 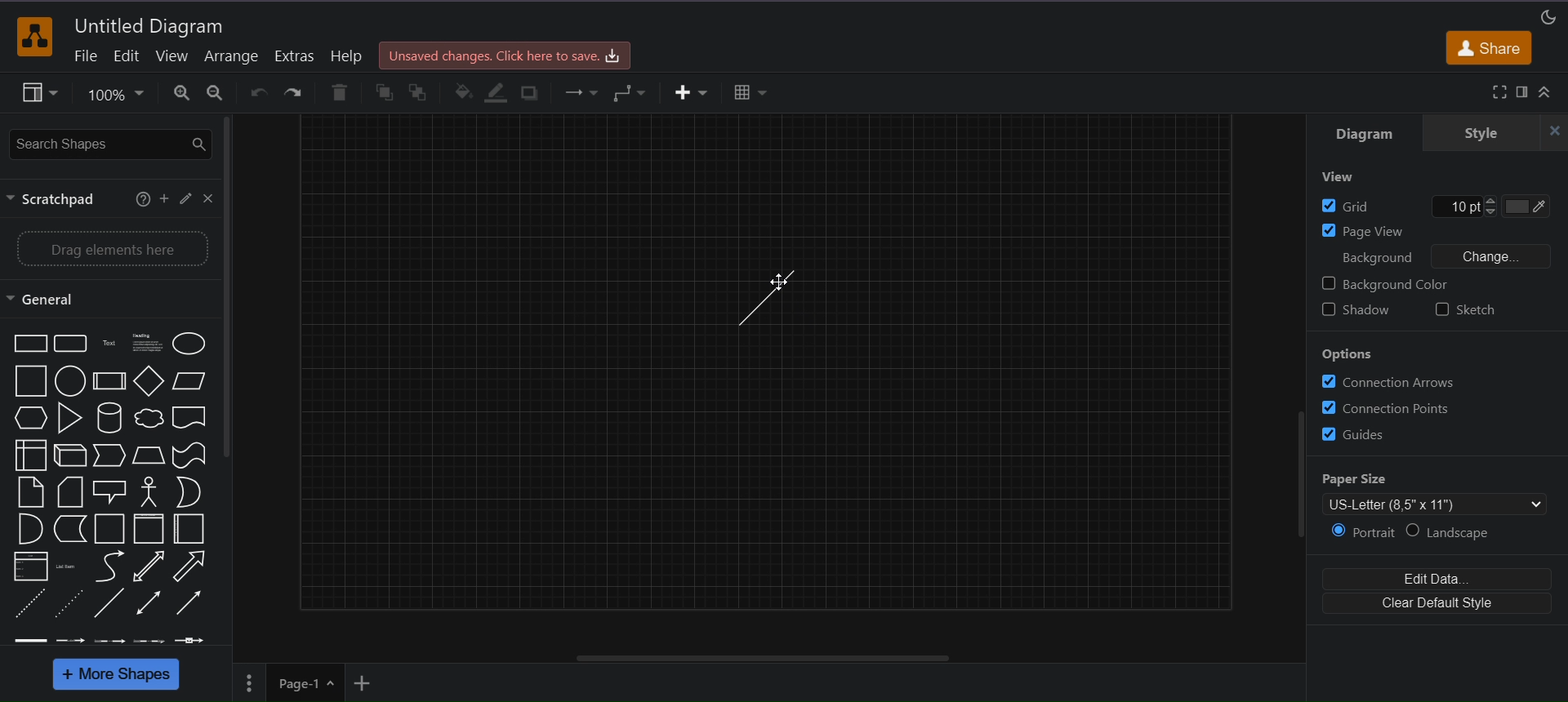 I want to click on edit, so click(x=186, y=197).